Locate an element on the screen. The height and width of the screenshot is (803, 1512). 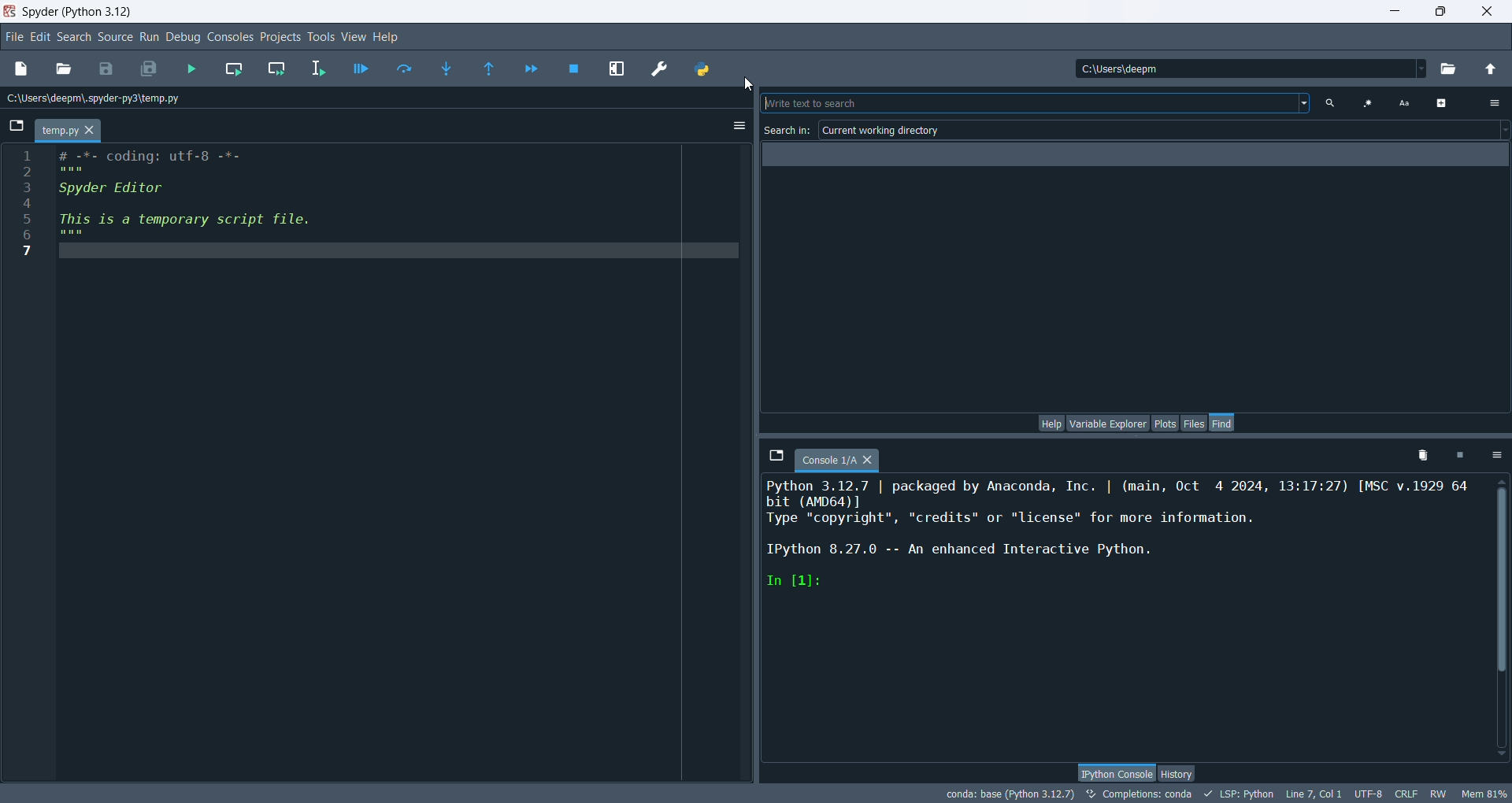
debug files is located at coordinates (361, 68).